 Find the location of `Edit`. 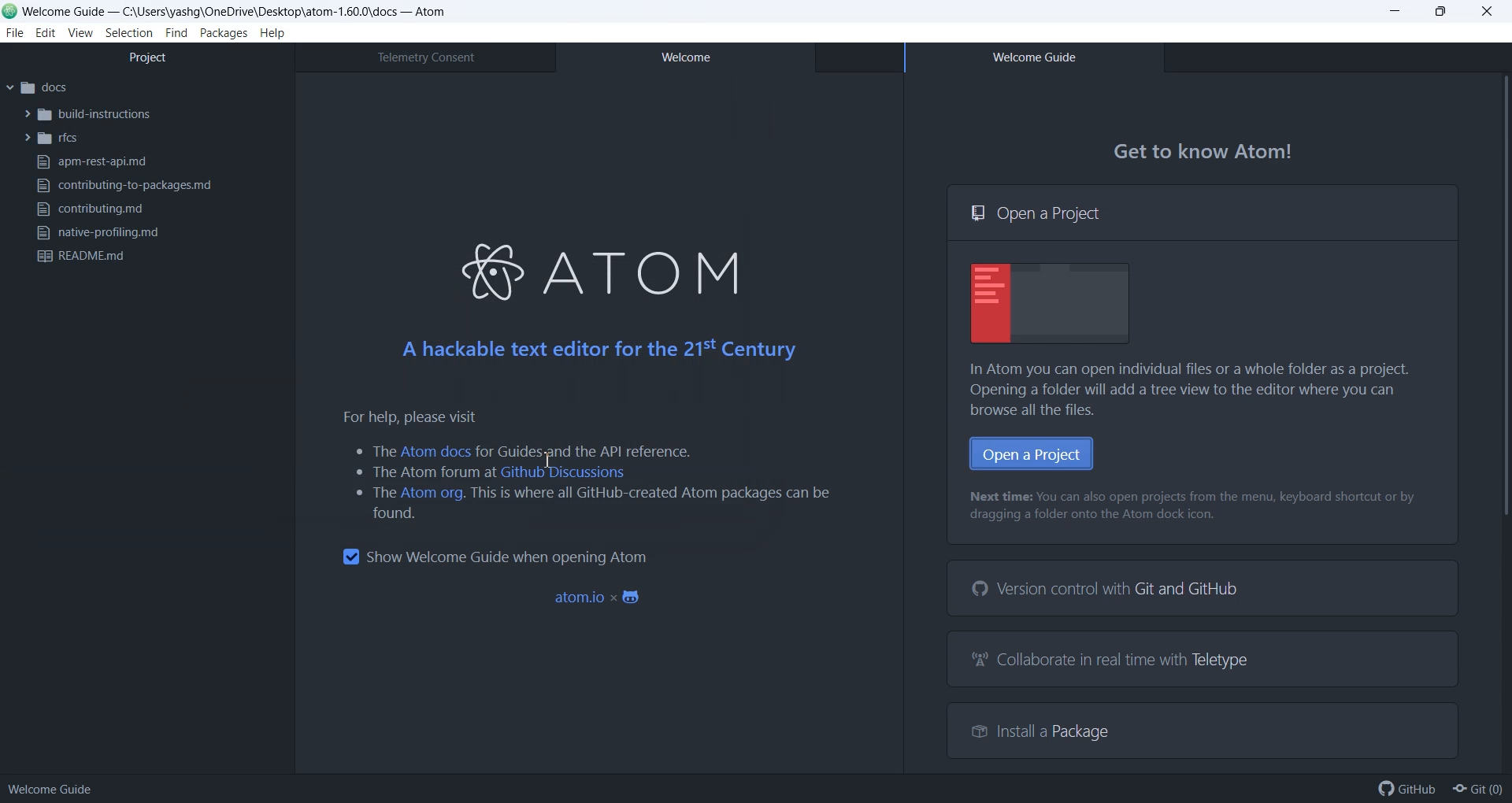

Edit is located at coordinates (46, 33).